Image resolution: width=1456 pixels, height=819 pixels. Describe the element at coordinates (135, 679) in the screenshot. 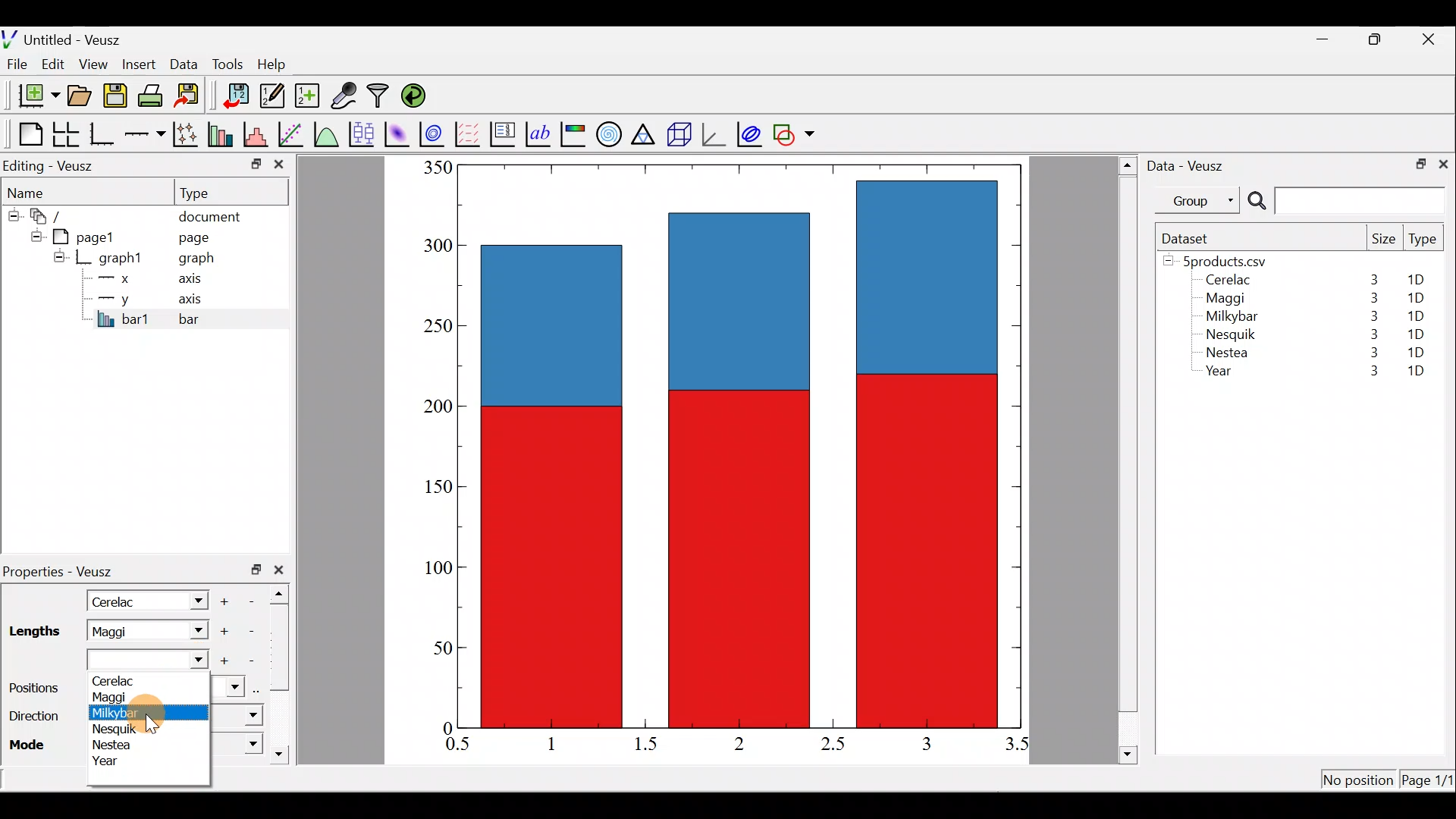

I see `Cerelac` at that location.